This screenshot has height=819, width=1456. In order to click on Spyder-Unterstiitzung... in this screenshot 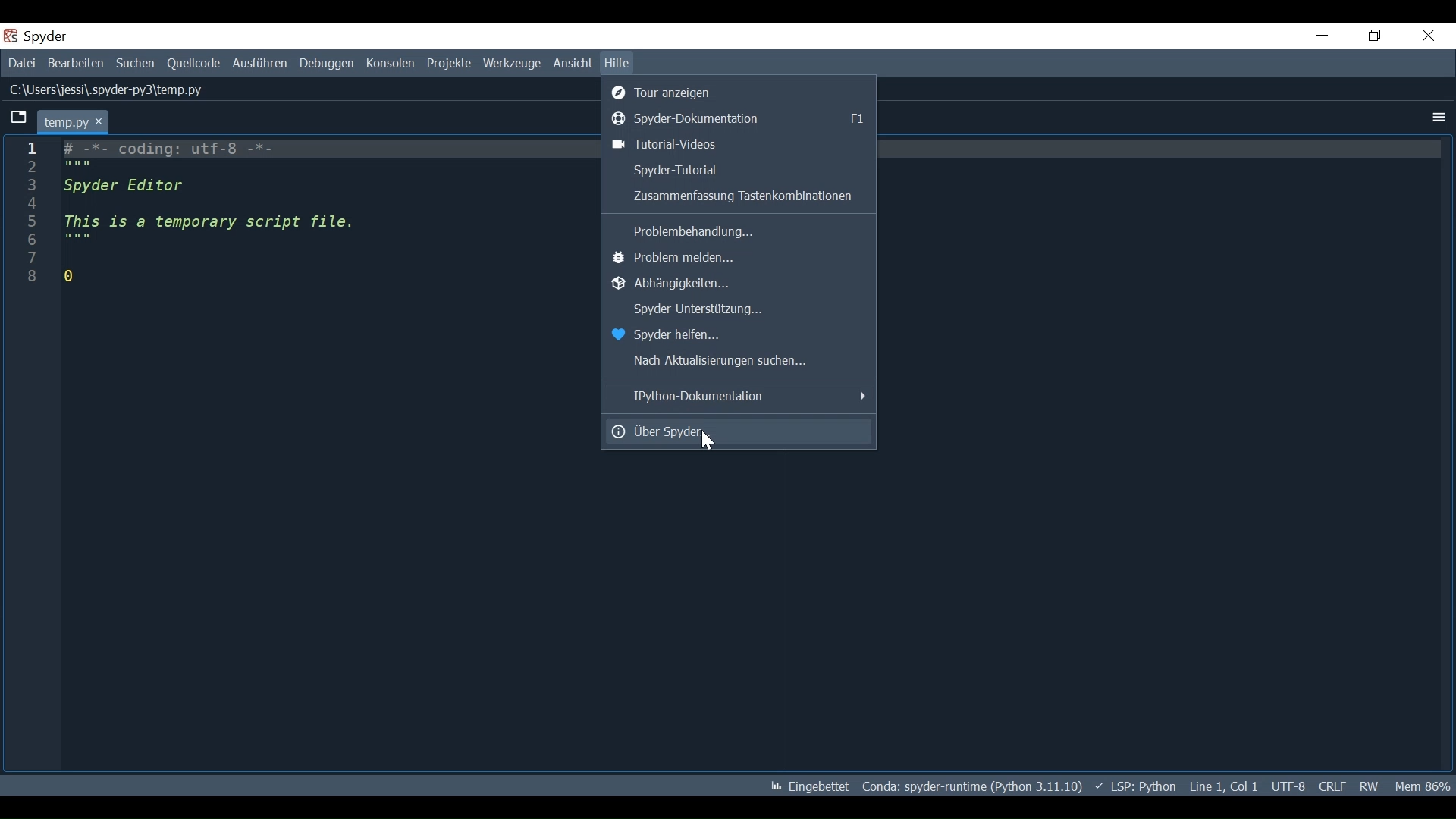, I will do `click(694, 311)`.